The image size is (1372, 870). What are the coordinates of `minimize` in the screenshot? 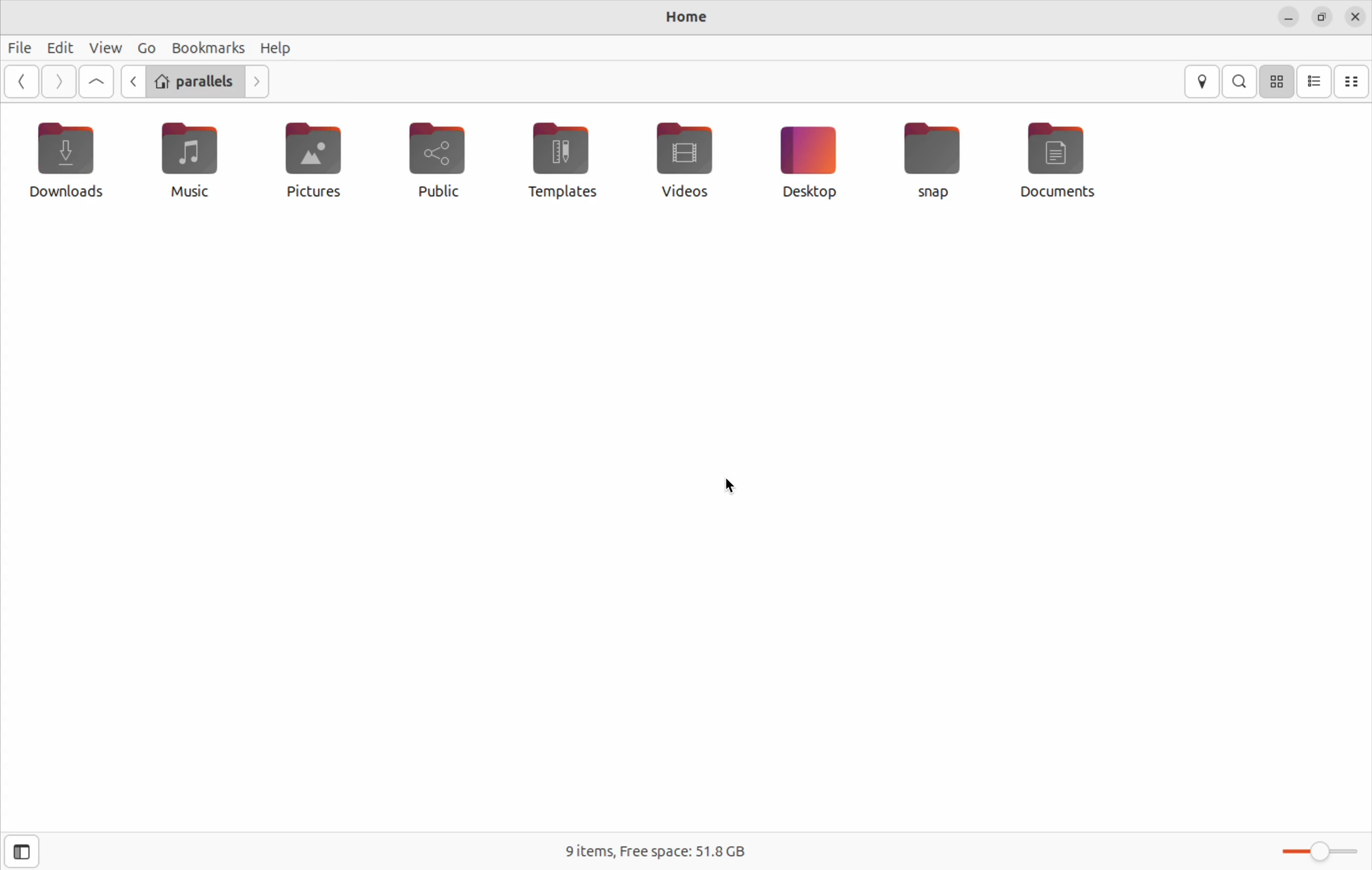 It's located at (1288, 18).